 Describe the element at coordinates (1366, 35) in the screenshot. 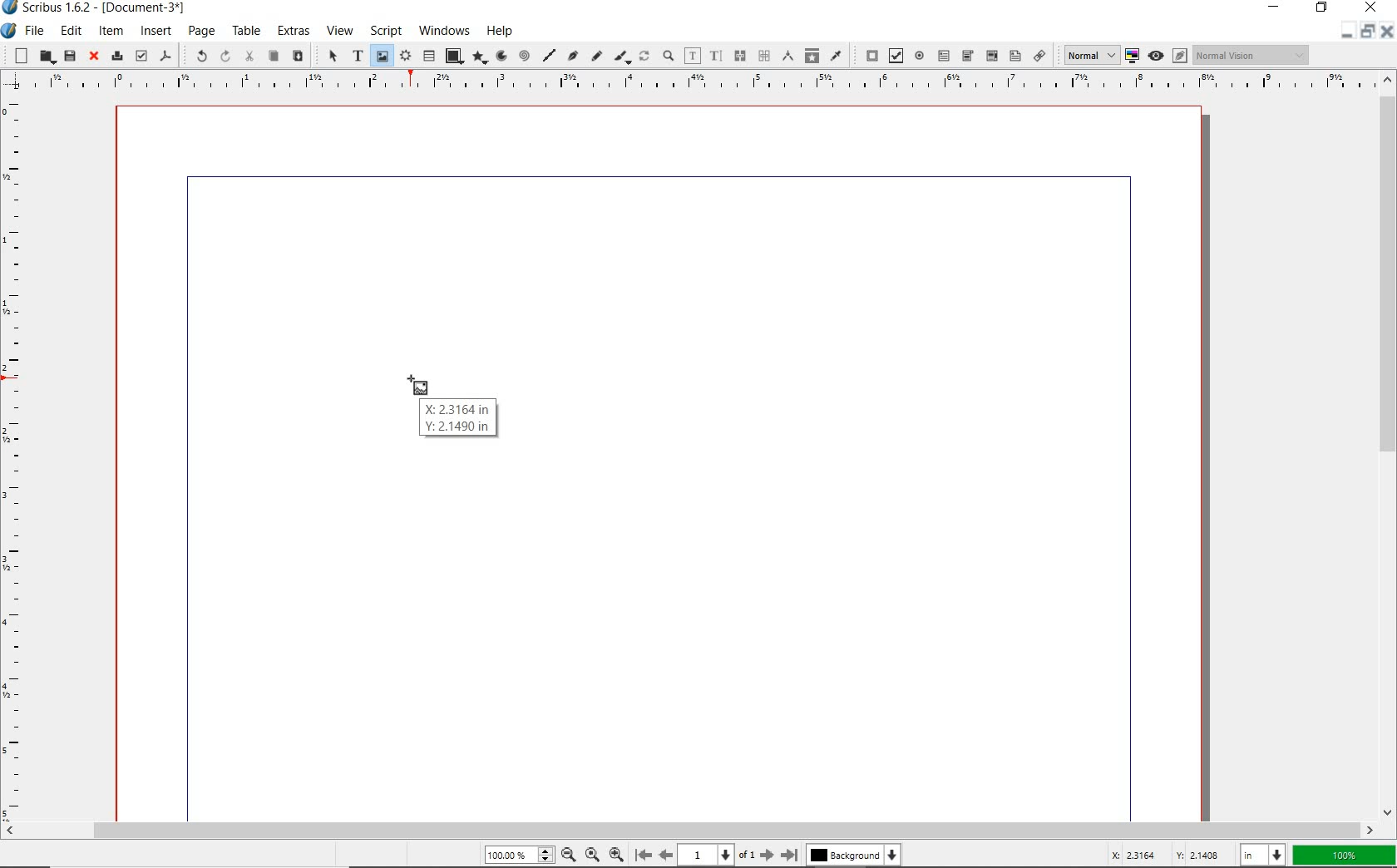

I see `restore` at that location.